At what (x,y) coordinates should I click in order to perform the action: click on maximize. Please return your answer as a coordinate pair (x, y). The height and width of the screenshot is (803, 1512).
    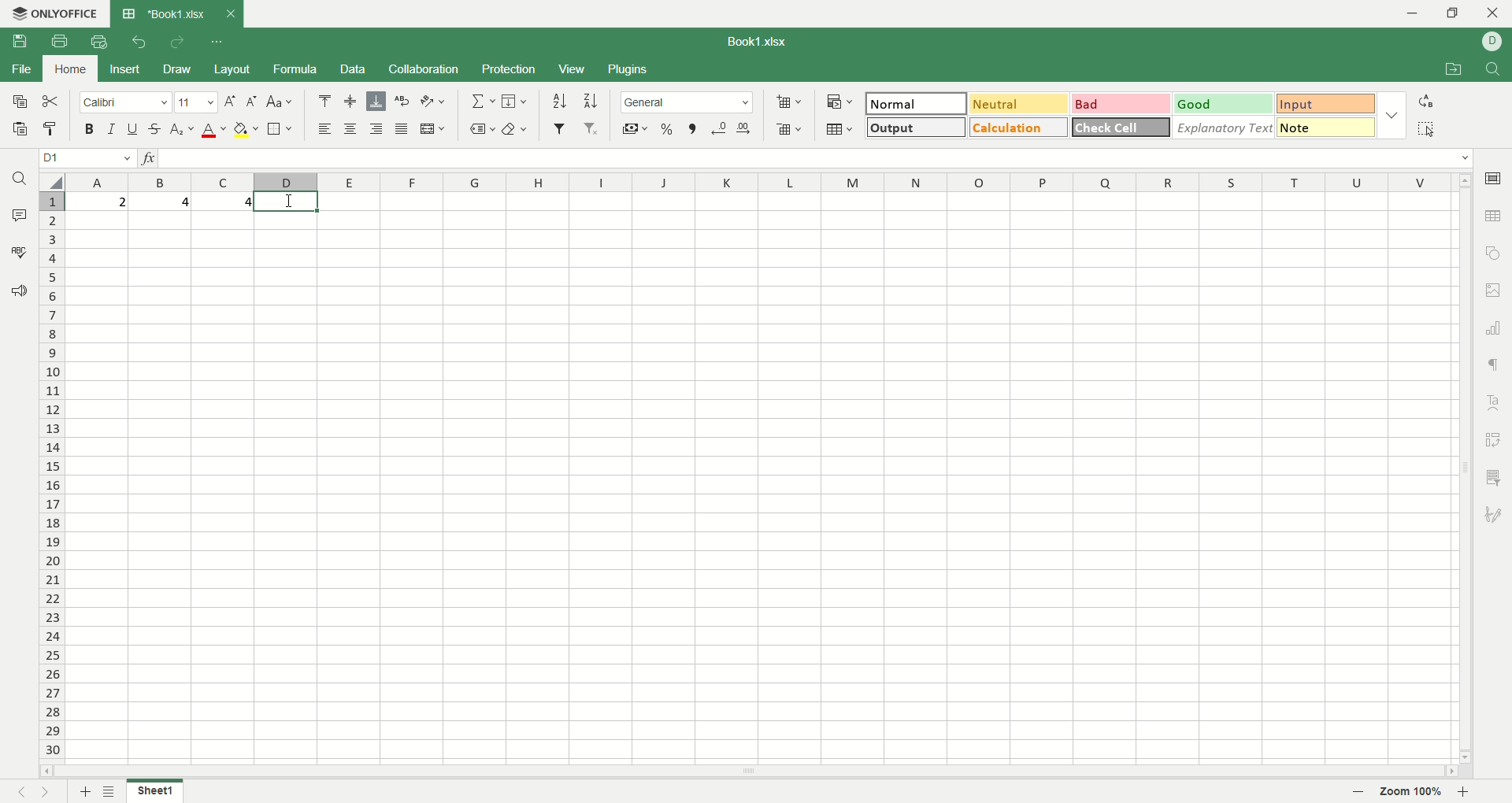
    Looking at the image, I should click on (1457, 13).